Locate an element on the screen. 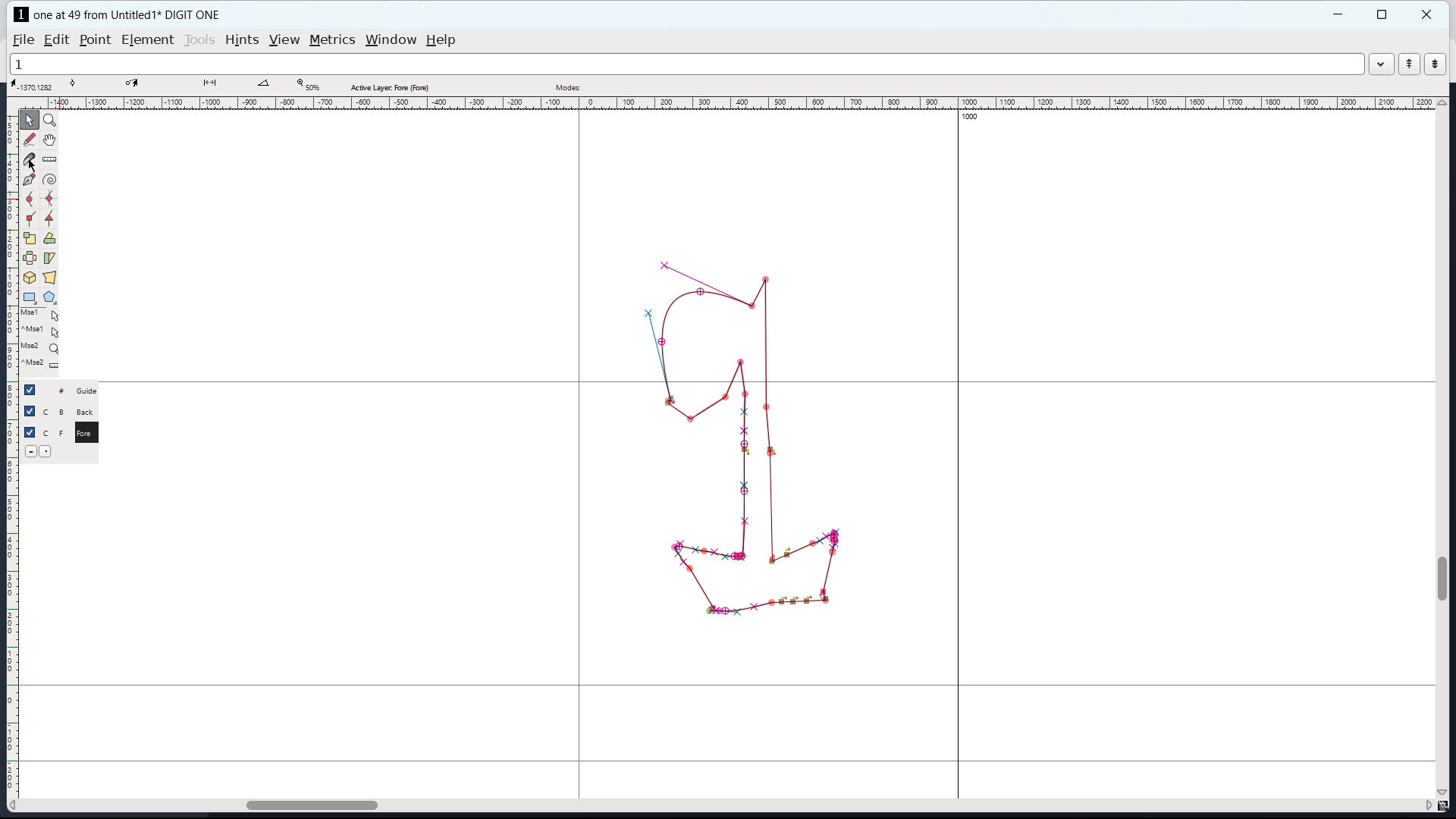 Image resolution: width=1456 pixels, height=819 pixels. view is located at coordinates (284, 40).